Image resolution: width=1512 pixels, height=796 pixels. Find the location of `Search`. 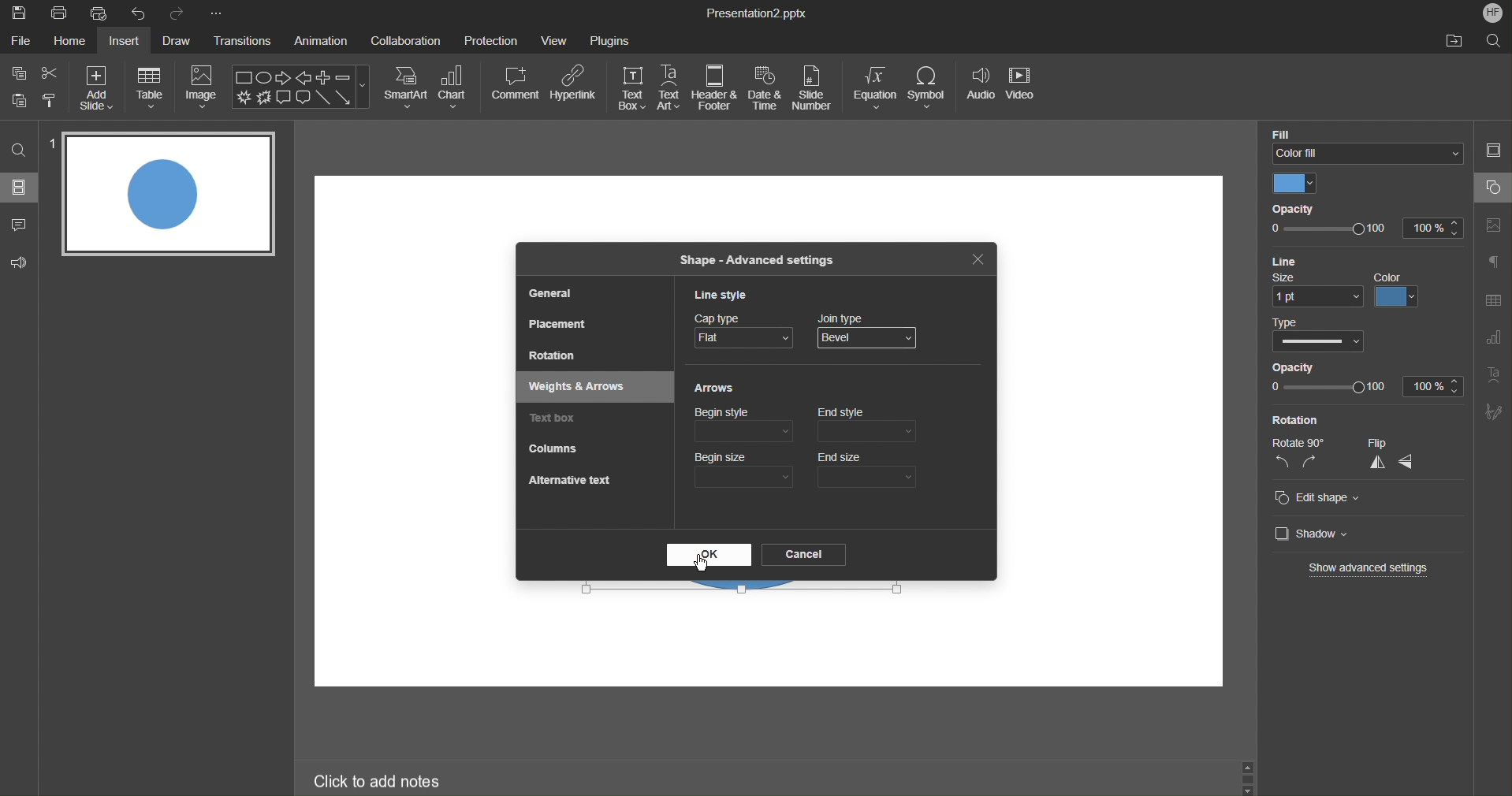

Search is located at coordinates (19, 149).